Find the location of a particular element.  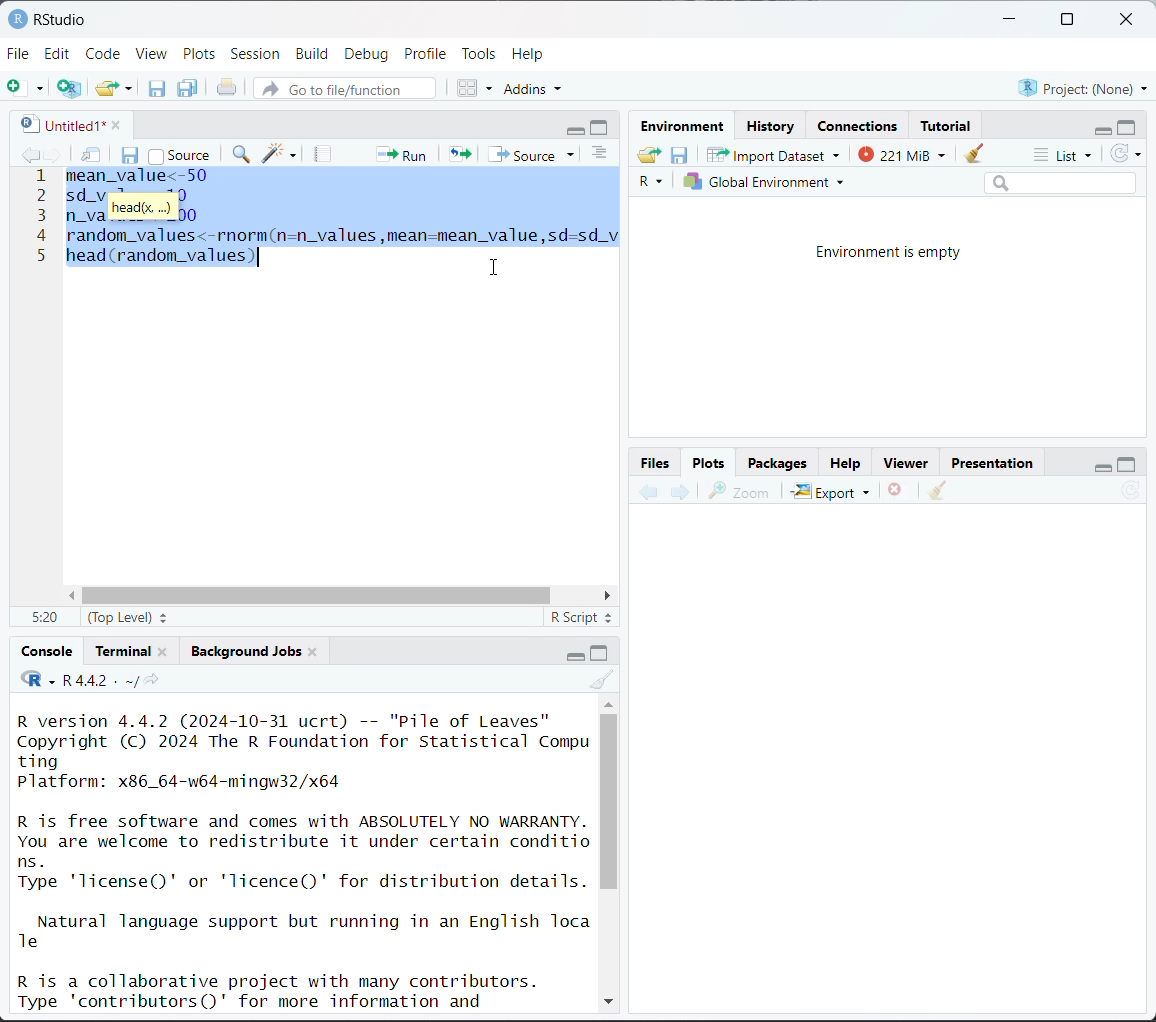

random_values<-rnorm(n=n_values ,mean=mean_value,sd=sd_v is located at coordinates (340, 235).